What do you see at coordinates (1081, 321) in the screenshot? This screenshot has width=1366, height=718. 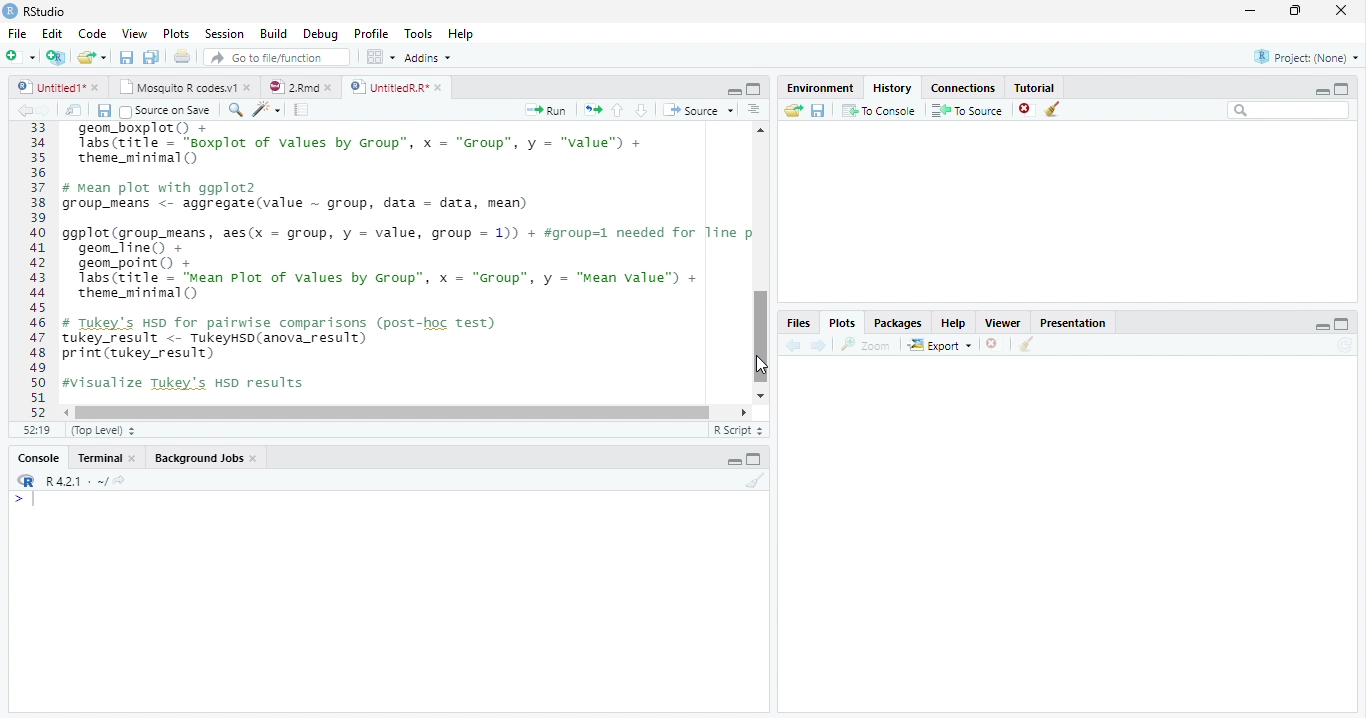 I see `Presentation` at bounding box center [1081, 321].